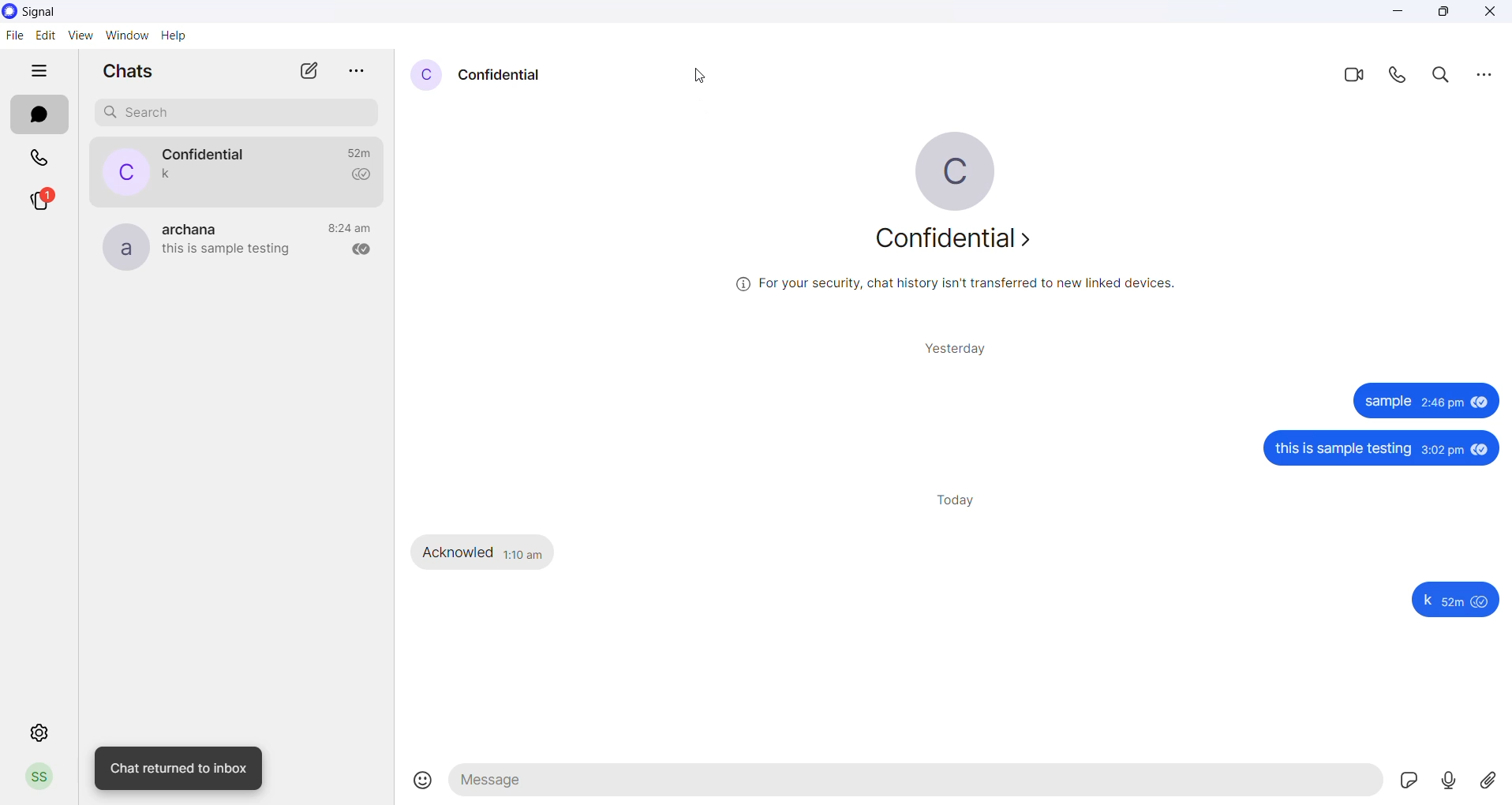  I want to click on contact name, so click(197, 229).